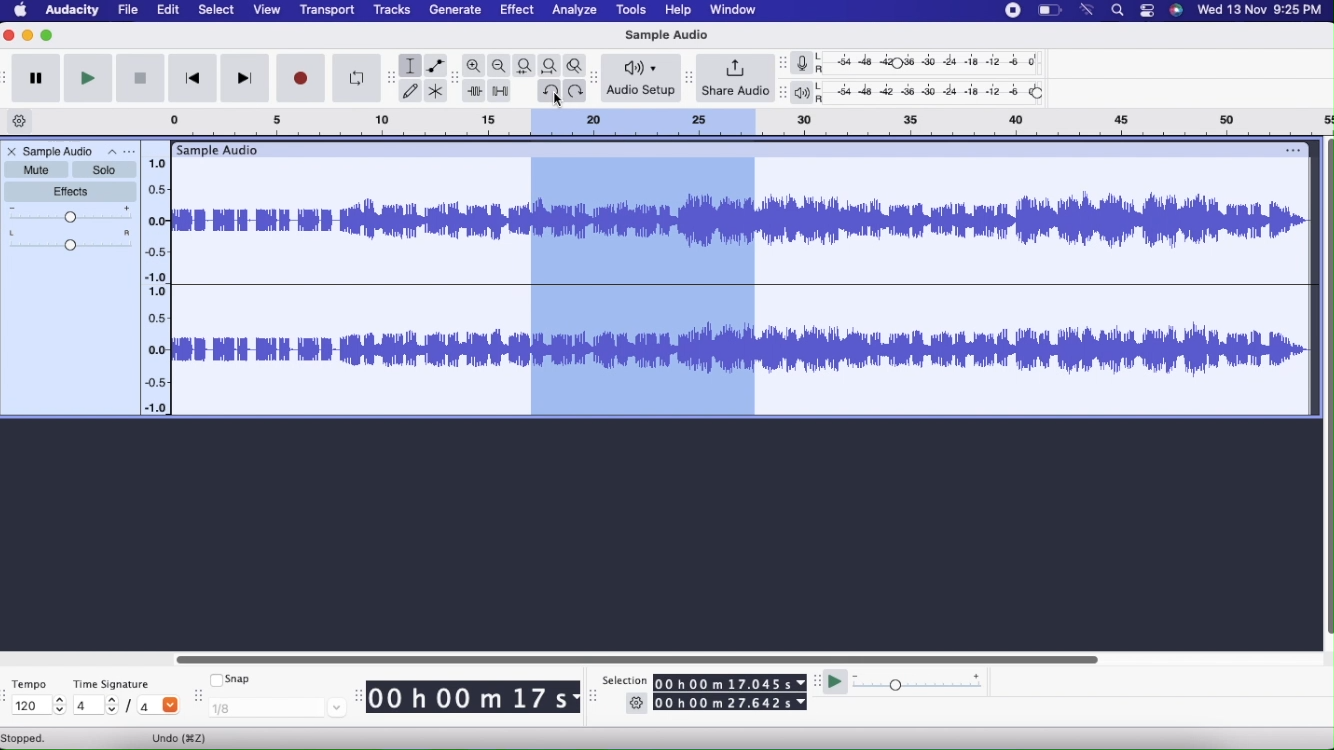 The height and width of the screenshot is (750, 1334). I want to click on Selection, so click(625, 680).